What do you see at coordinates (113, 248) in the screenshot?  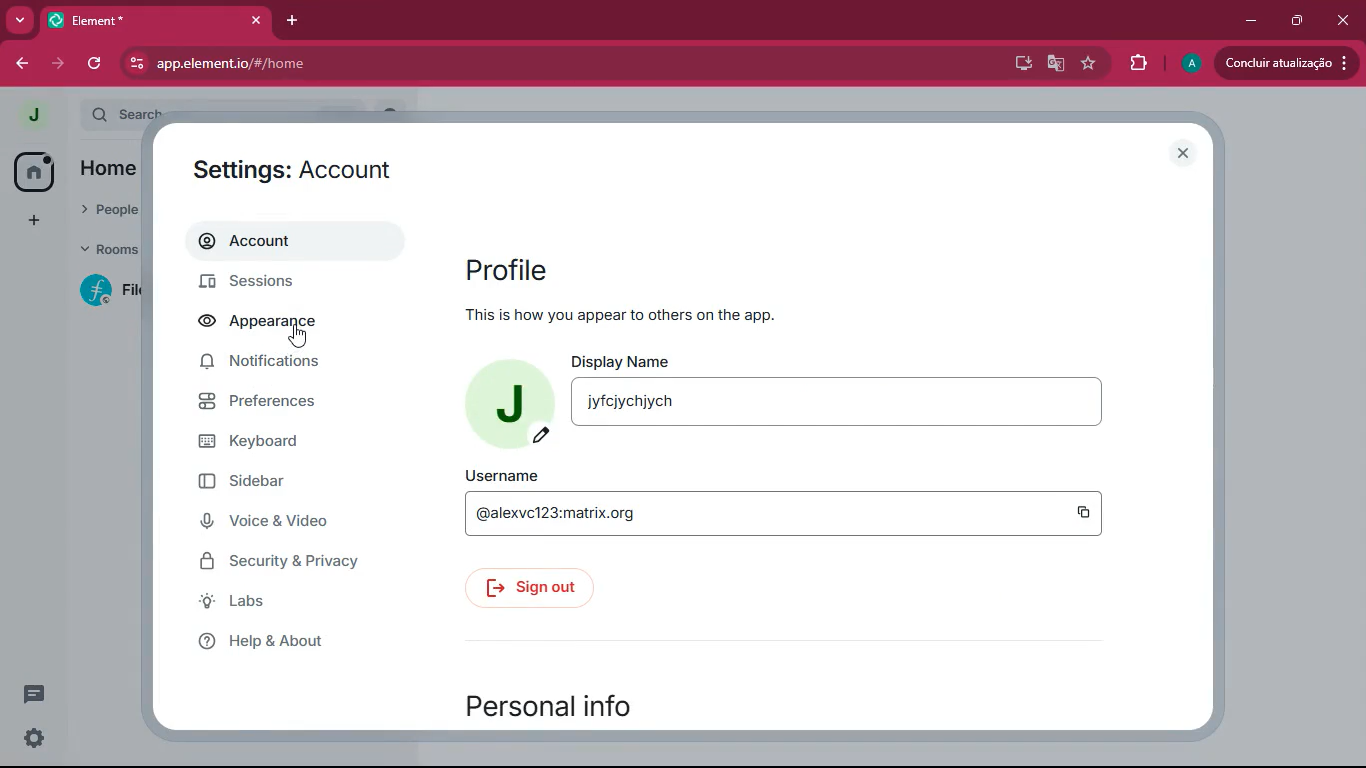 I see `rooms` at bounding box center [113, 248].